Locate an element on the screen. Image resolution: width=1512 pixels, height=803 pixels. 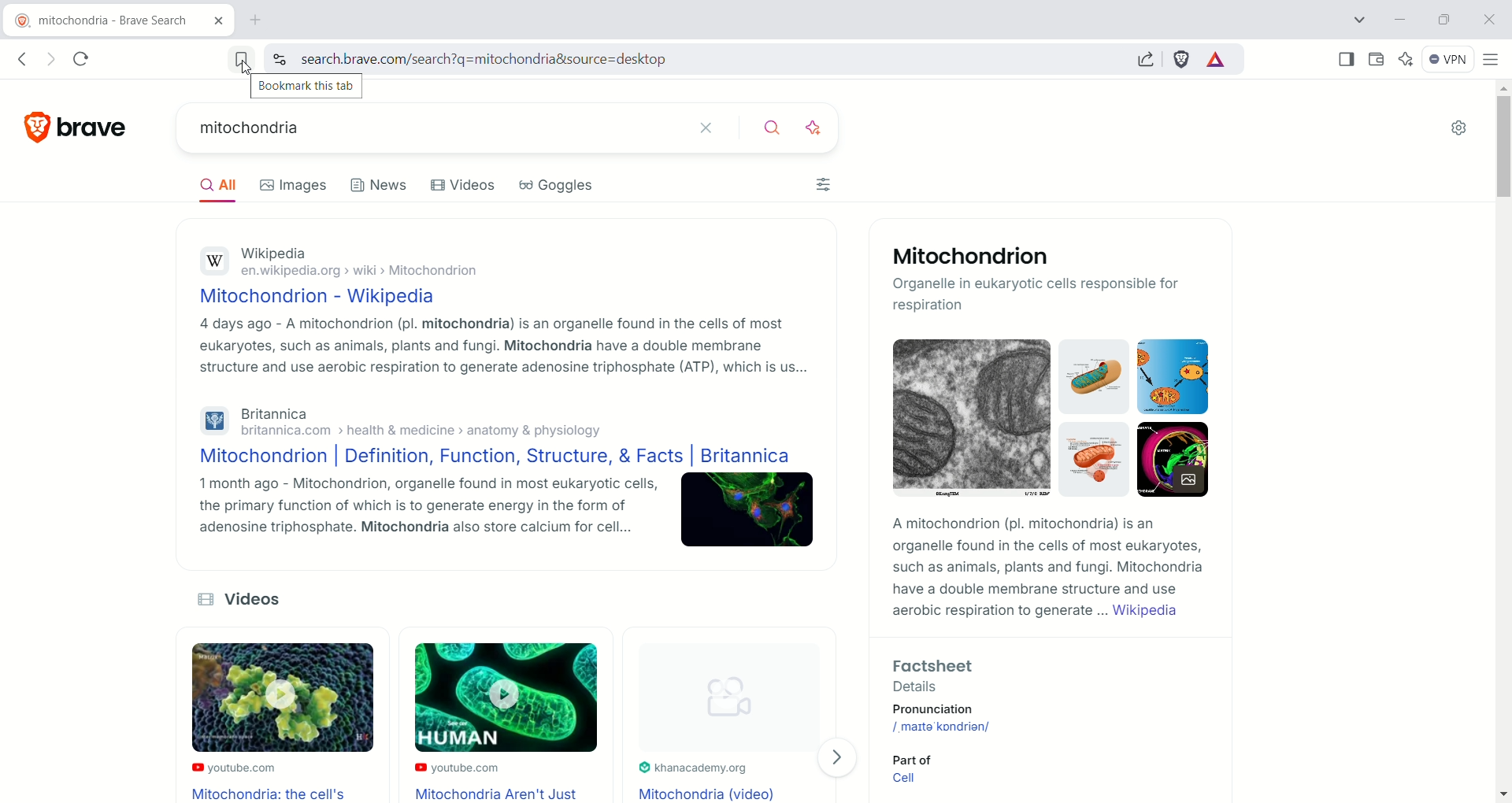
minimize is located at coordinates (1401, 19).